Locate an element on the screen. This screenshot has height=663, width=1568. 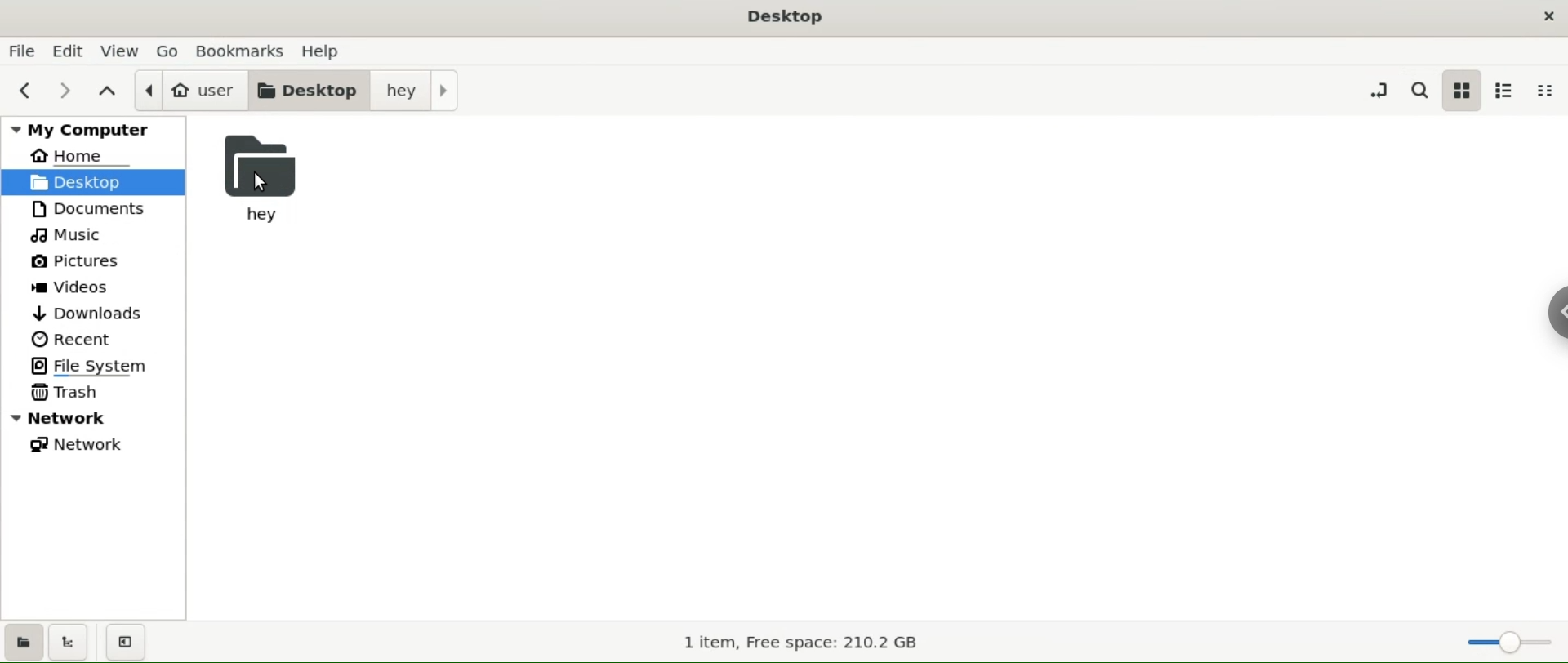
close sidebars is located at coordinates (131, 643).